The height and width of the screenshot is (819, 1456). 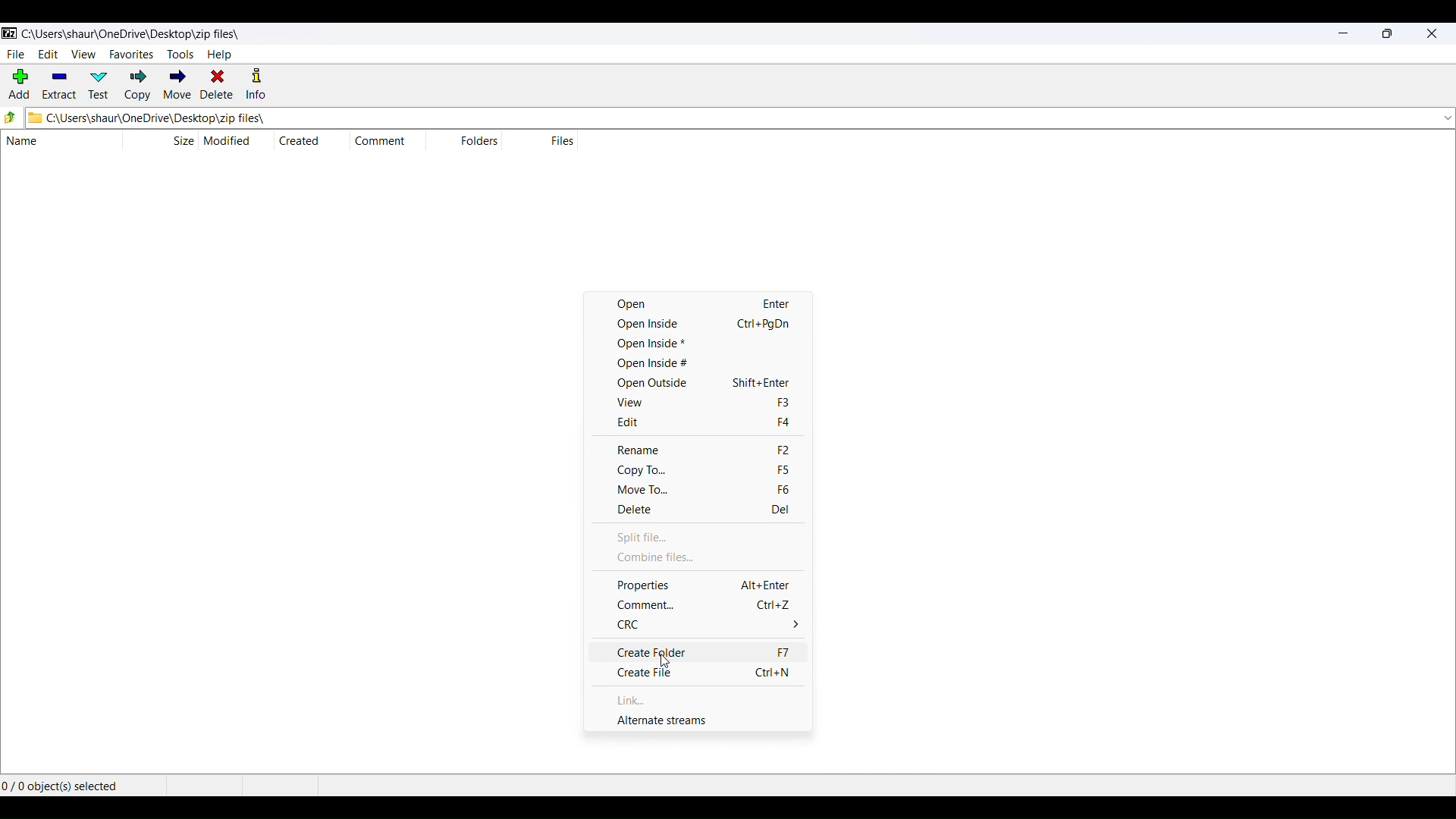 What do you see at coordinates (231, 140) in the screenshot?
I see `MODIFIED` at bounding box center [231, 140].